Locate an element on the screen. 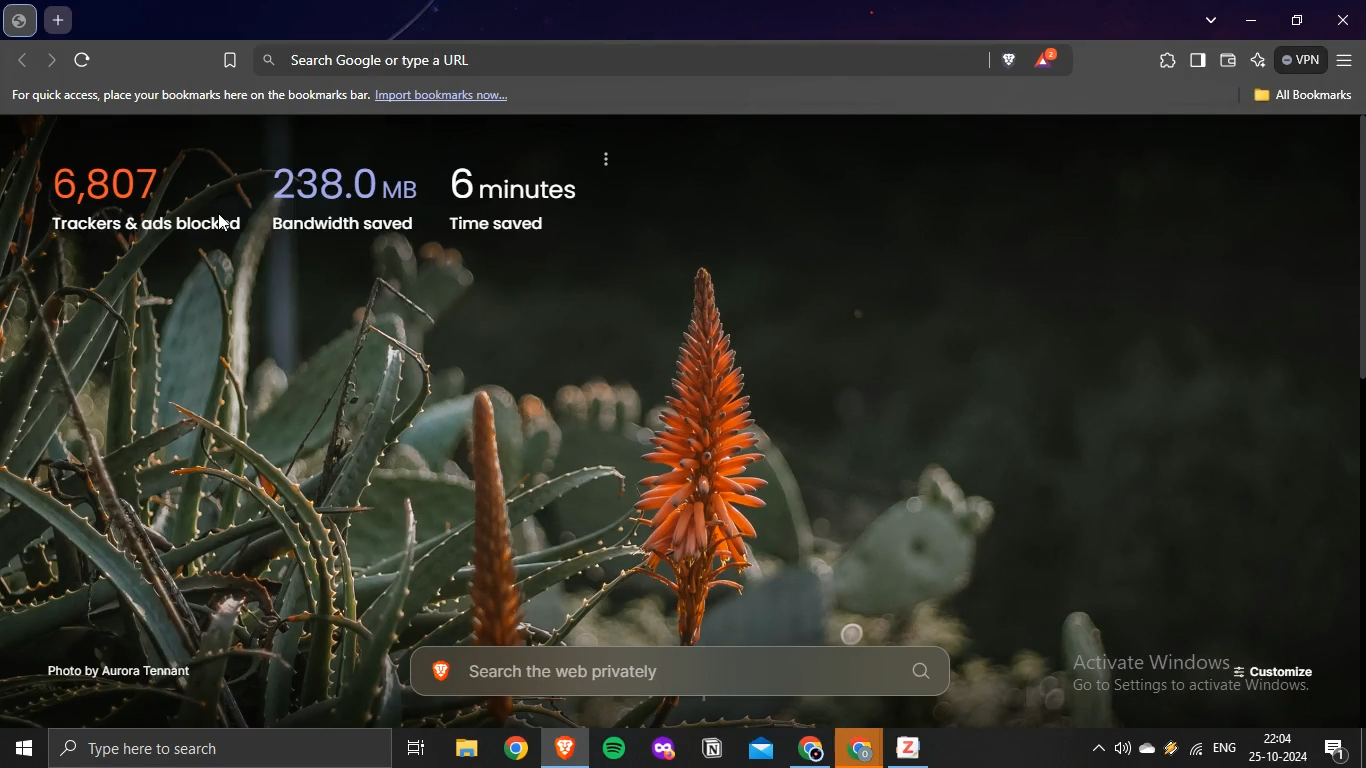 The image size is (1366, 768). search the web privately is located at coordinates (669, 673).